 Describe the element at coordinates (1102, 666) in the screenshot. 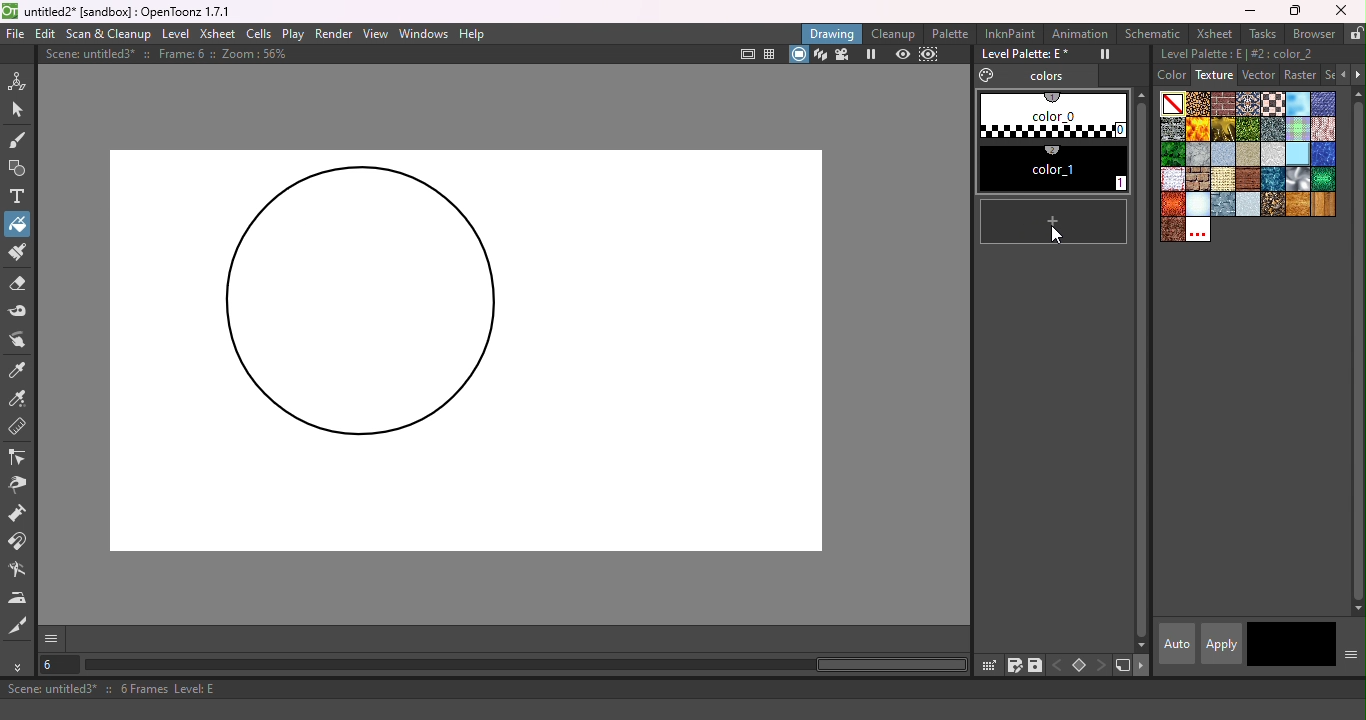

I see `next key` at that location.